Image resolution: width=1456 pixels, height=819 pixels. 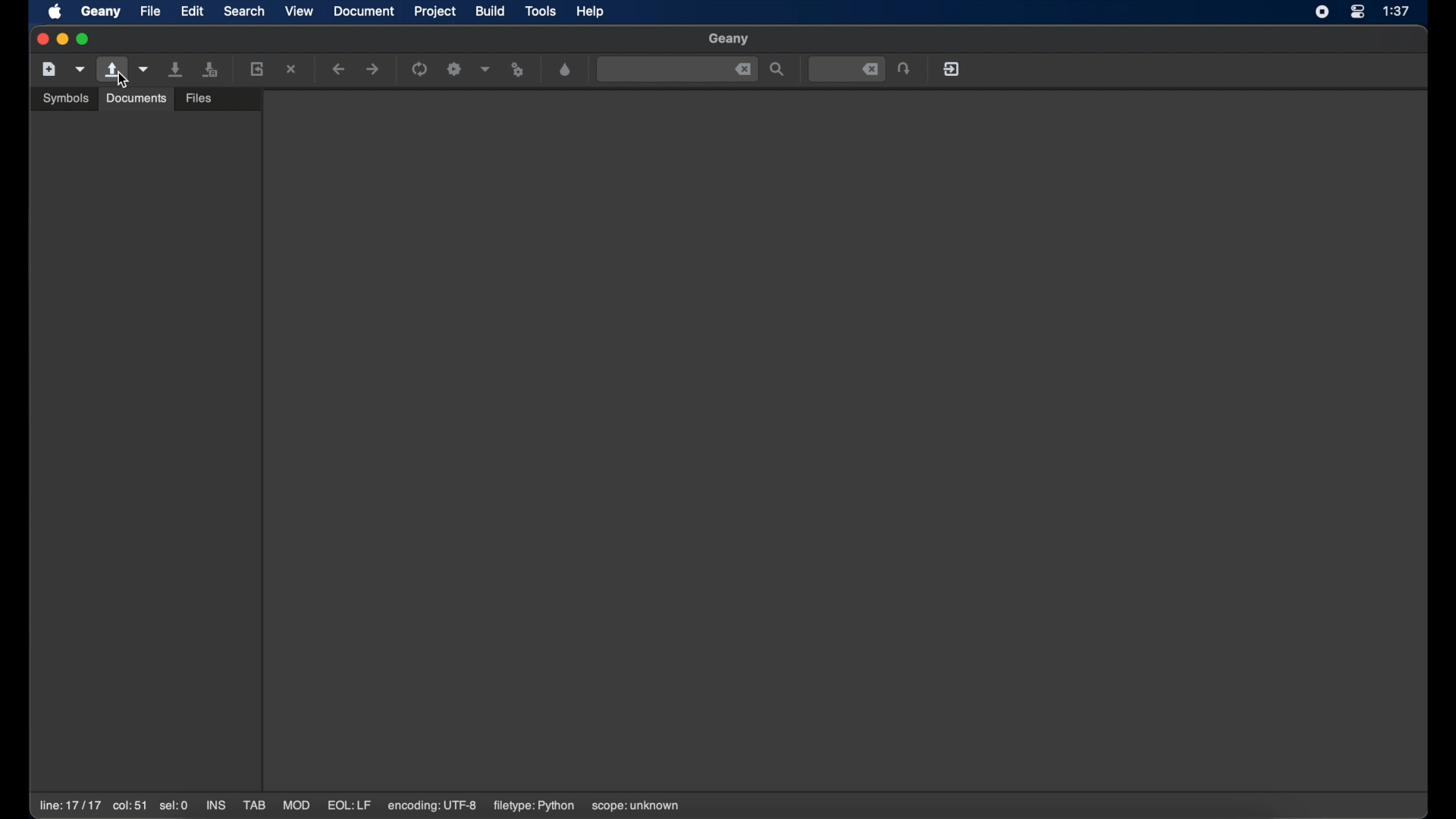 What do you see at coordinates (69, 805) in the screenshot?
I see `line 17/17` at bounding box center [69, 805].